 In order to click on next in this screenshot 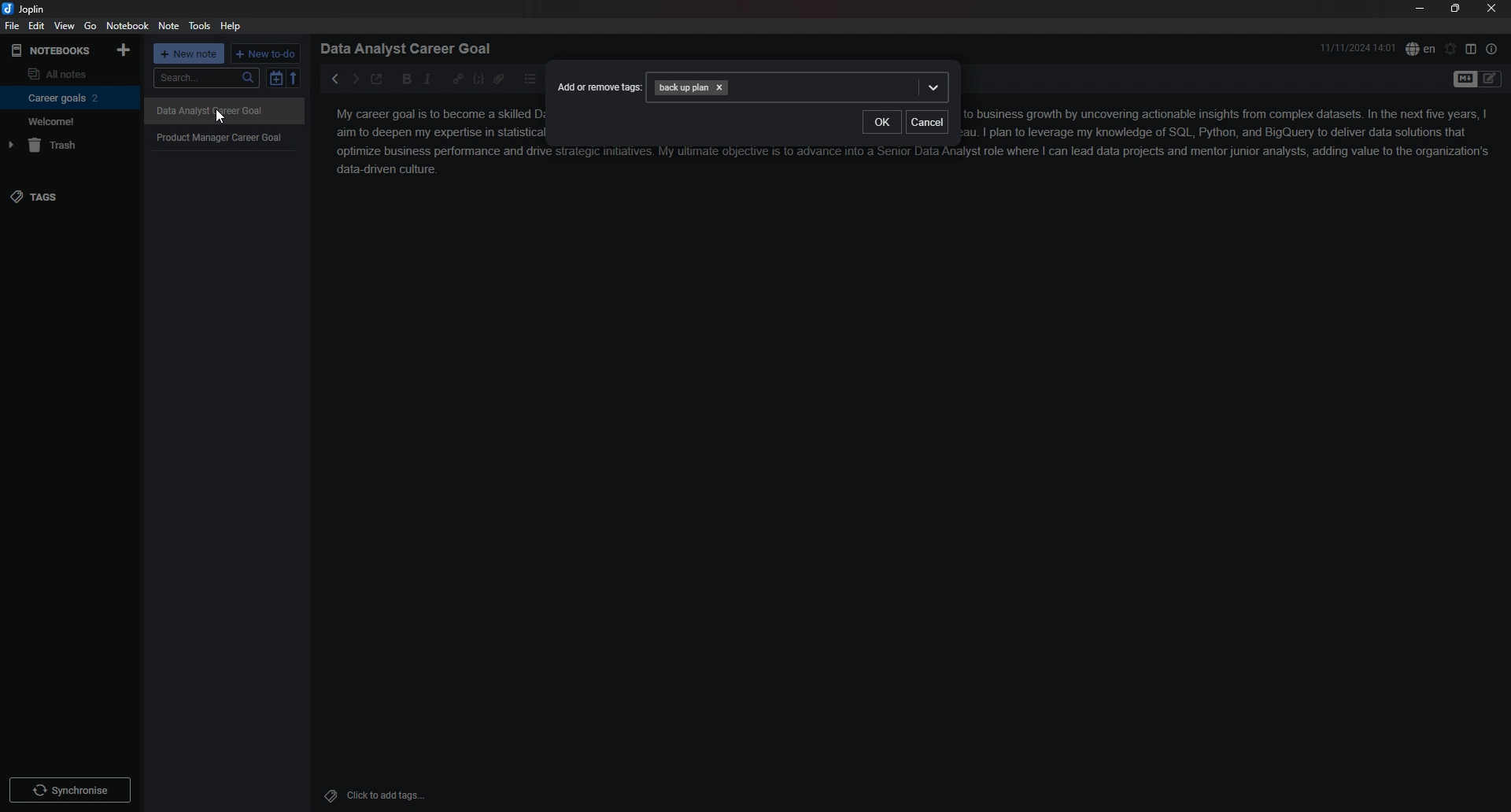, I will do `click(355, 79)`.